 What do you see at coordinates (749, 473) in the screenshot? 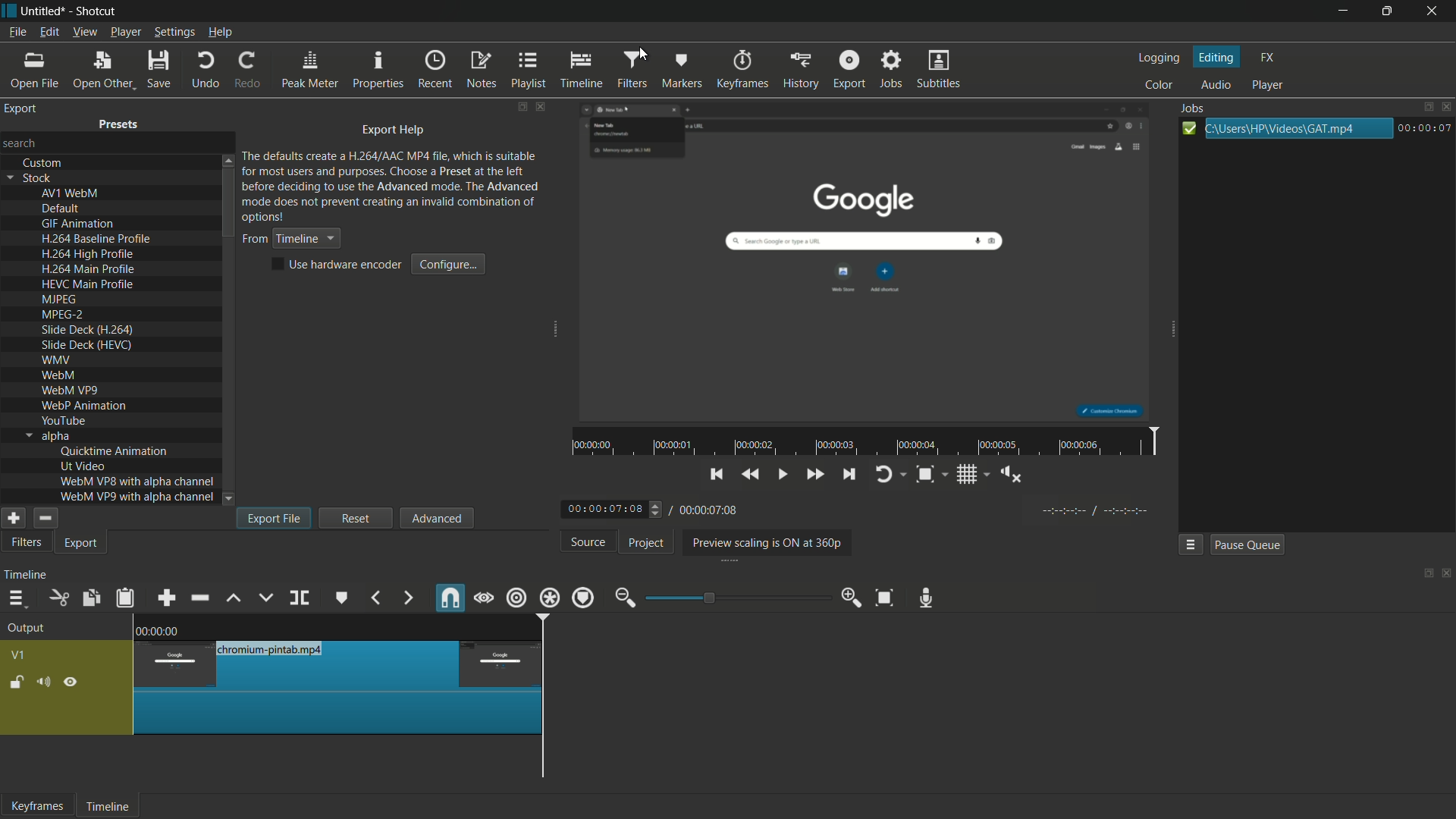
I see `quickly play backward` at bounding box center [749, 473].